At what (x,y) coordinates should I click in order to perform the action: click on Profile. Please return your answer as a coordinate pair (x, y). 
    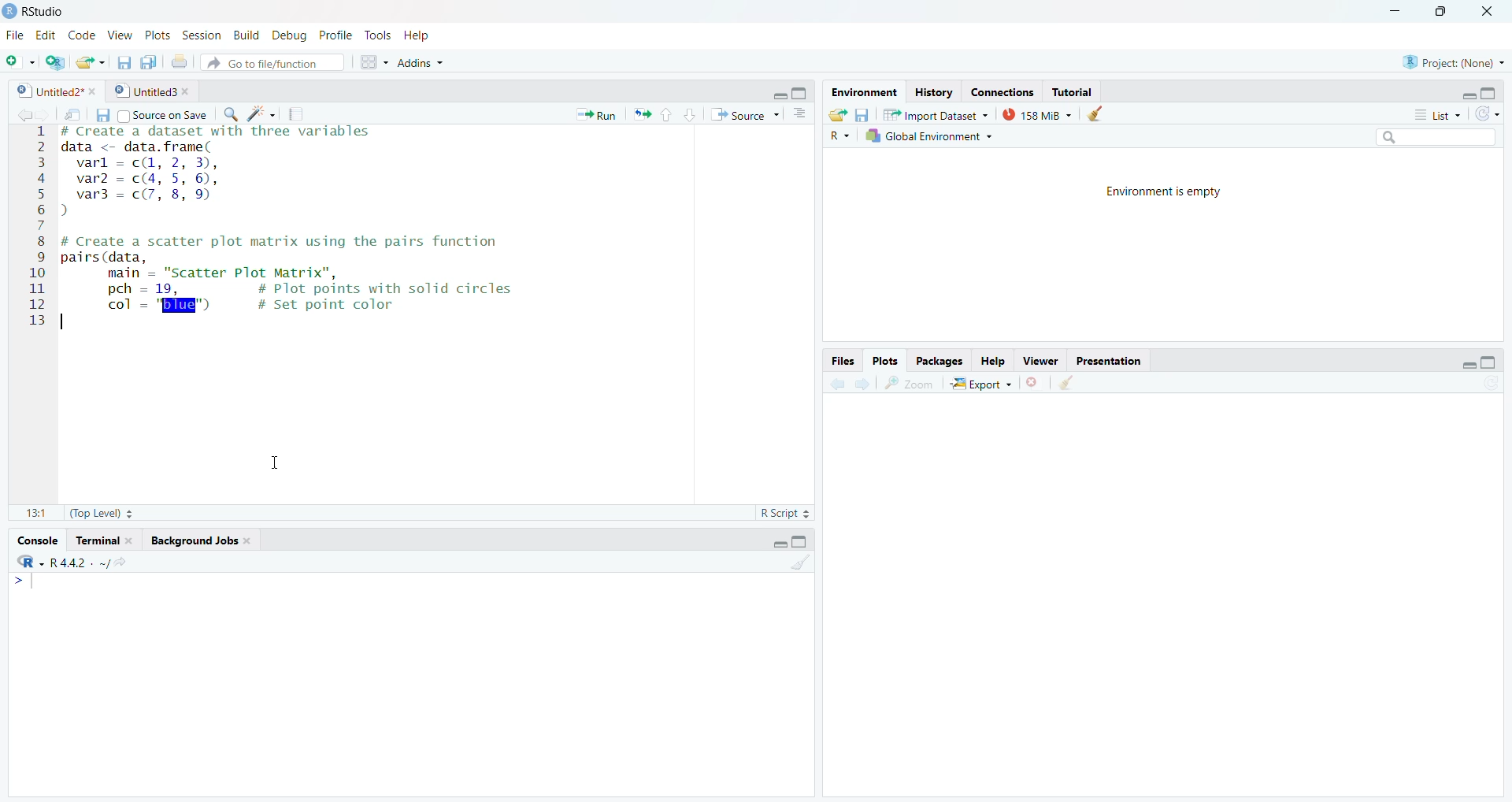
    Looking at the image, I should click on (337, 35).